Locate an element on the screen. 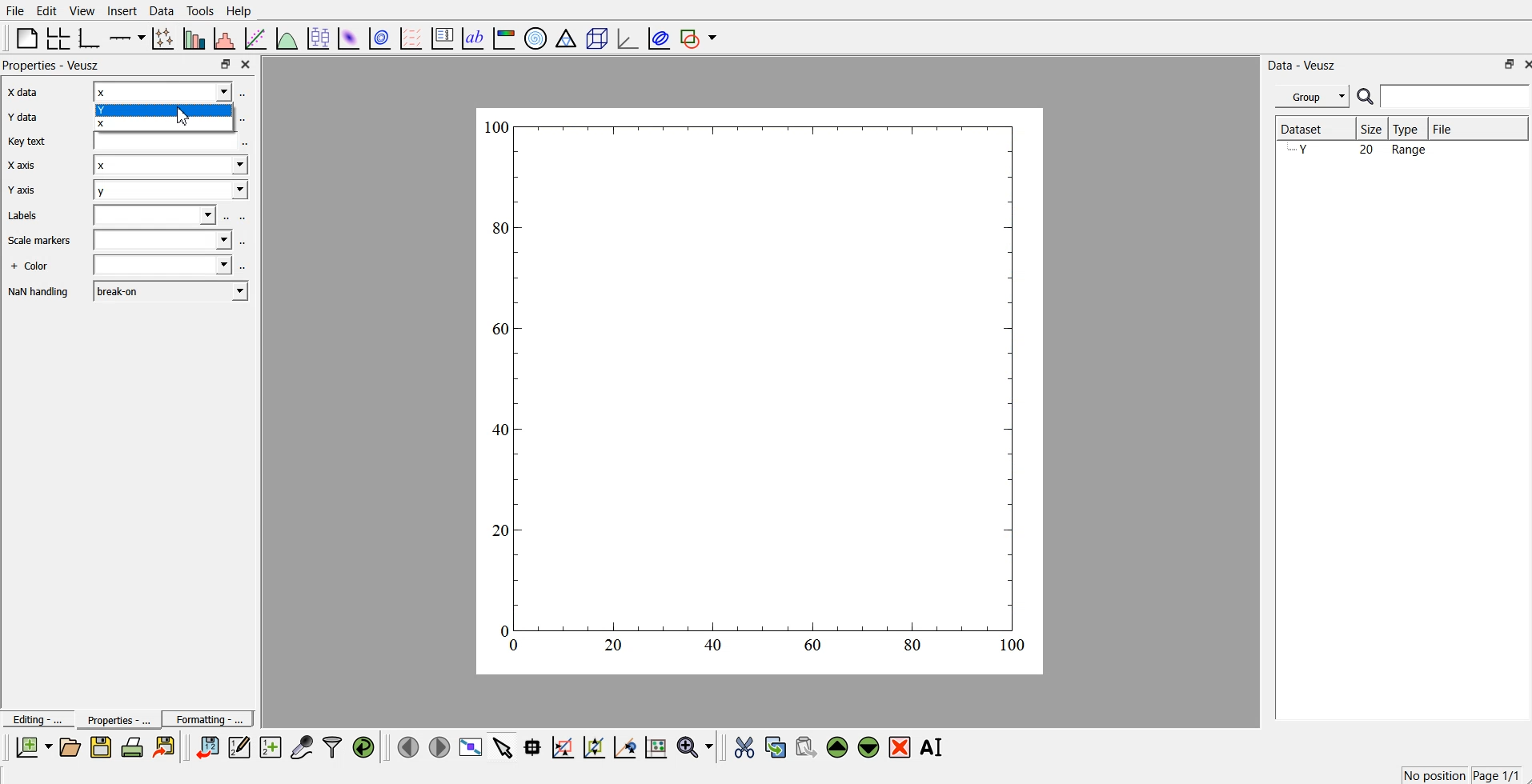 Image resolution: width=1532 pixels, height=784 pixels. add a shape to the plot is located at coordinates (700, 38).